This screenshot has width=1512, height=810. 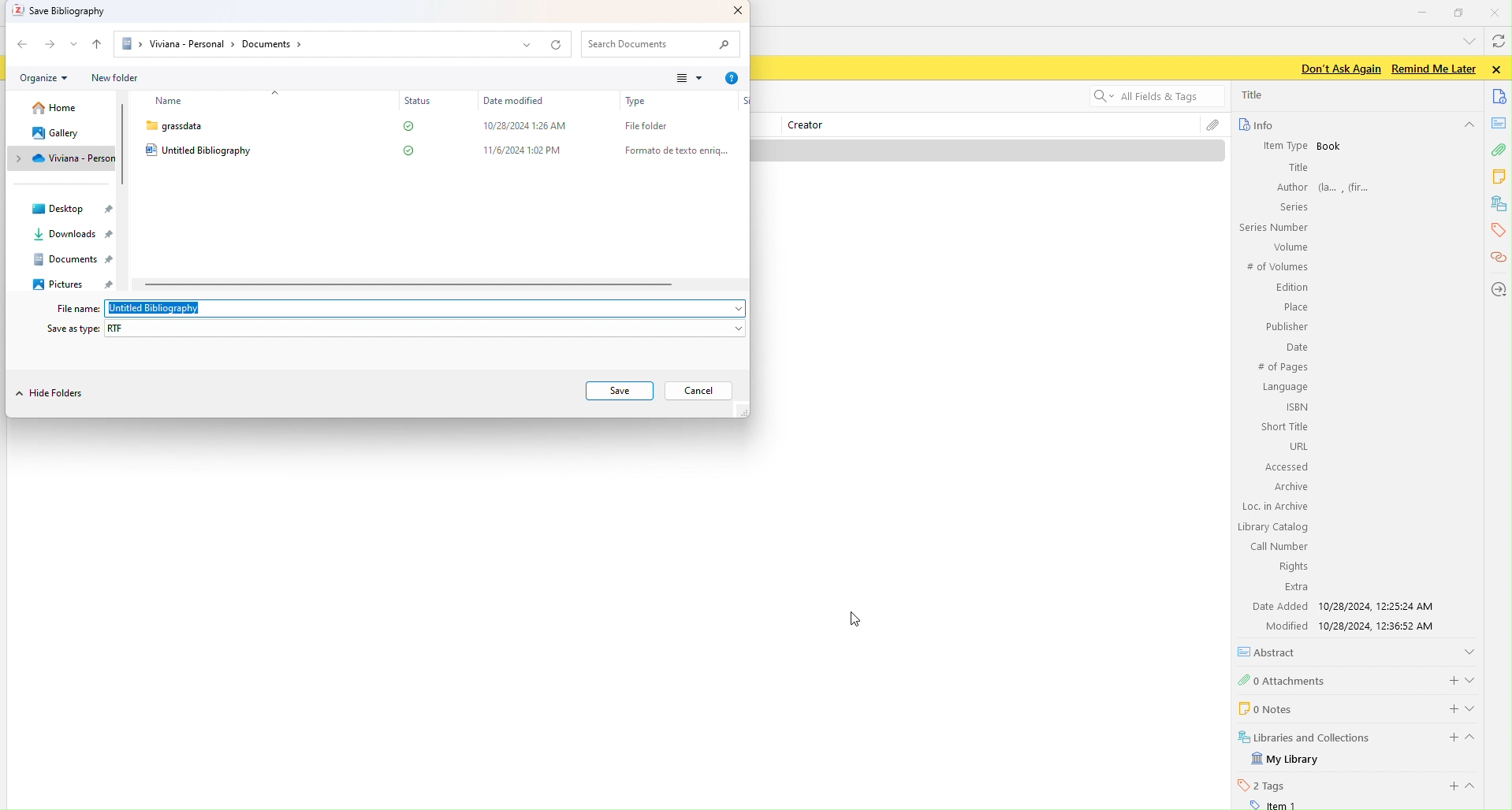 What do you see at coordinates (1147, 98) in the screenshot?
I see `All fields and tags` at bounding box center [1147, 98].